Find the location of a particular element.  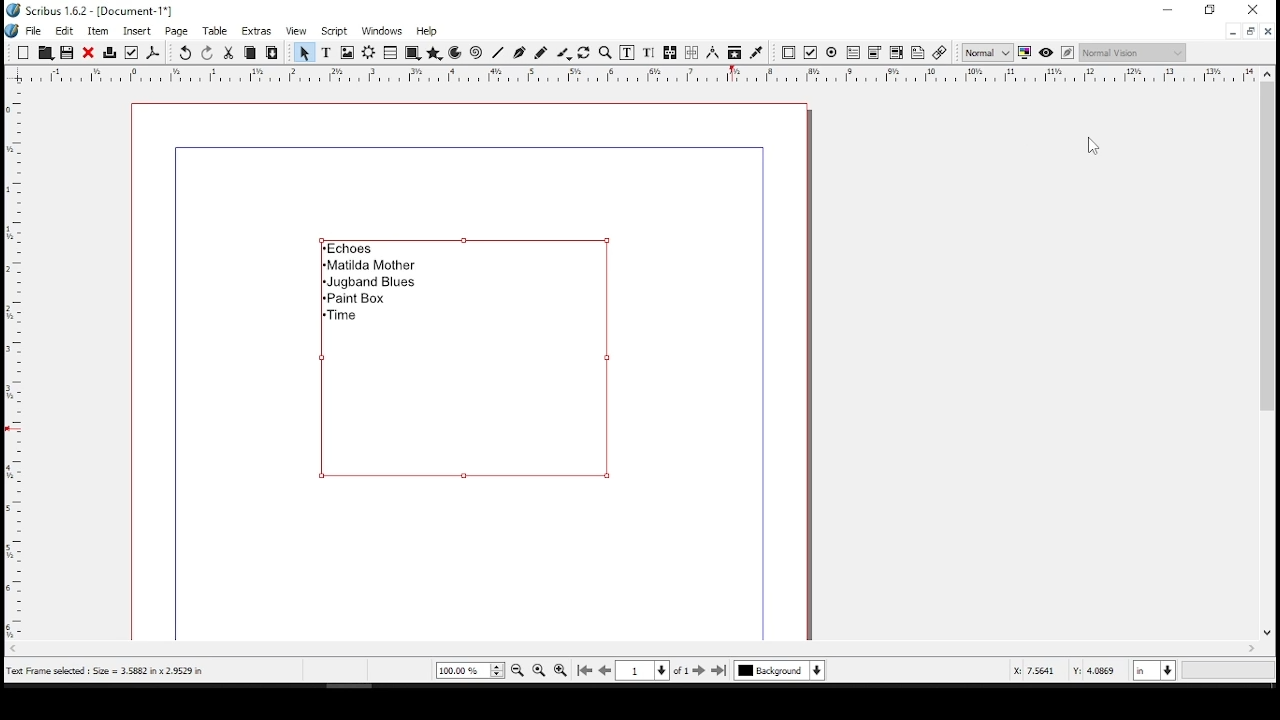

scroll bar is located at coordinates (627, 649).